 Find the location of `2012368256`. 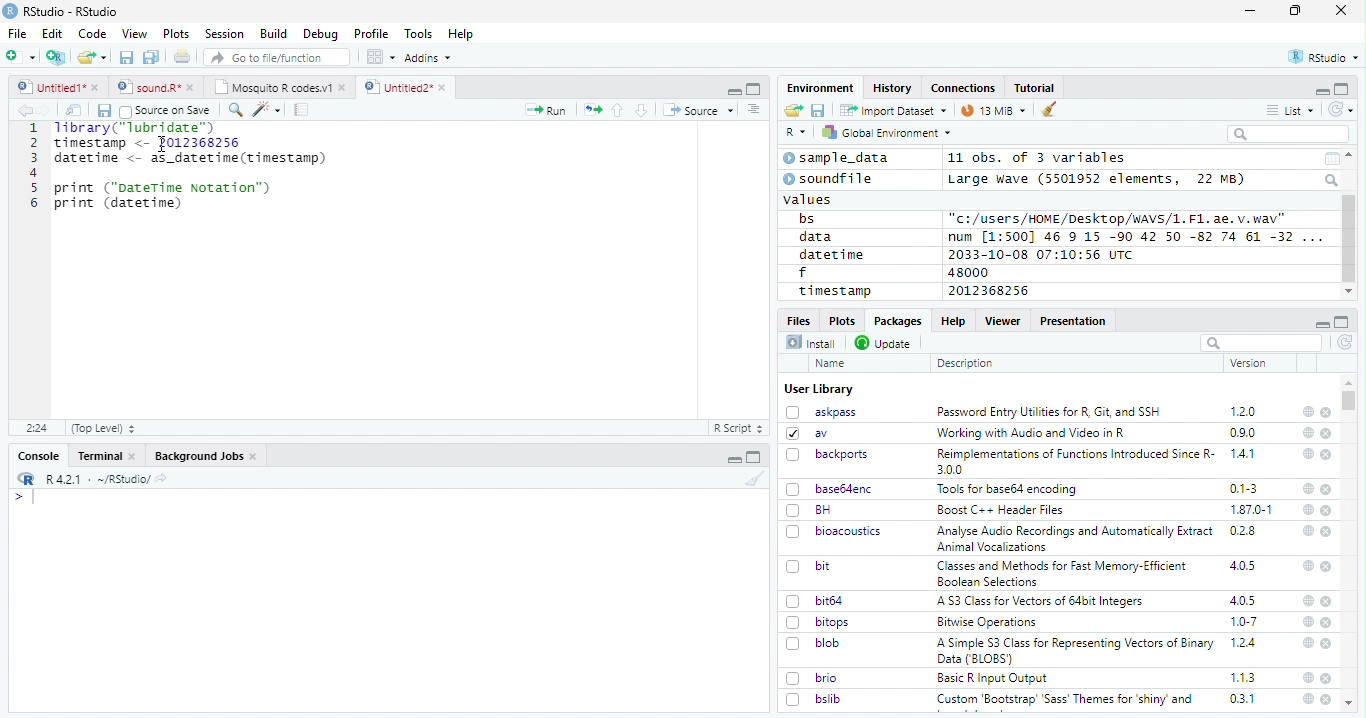

2012368256 is located at coordinates (992, 291).